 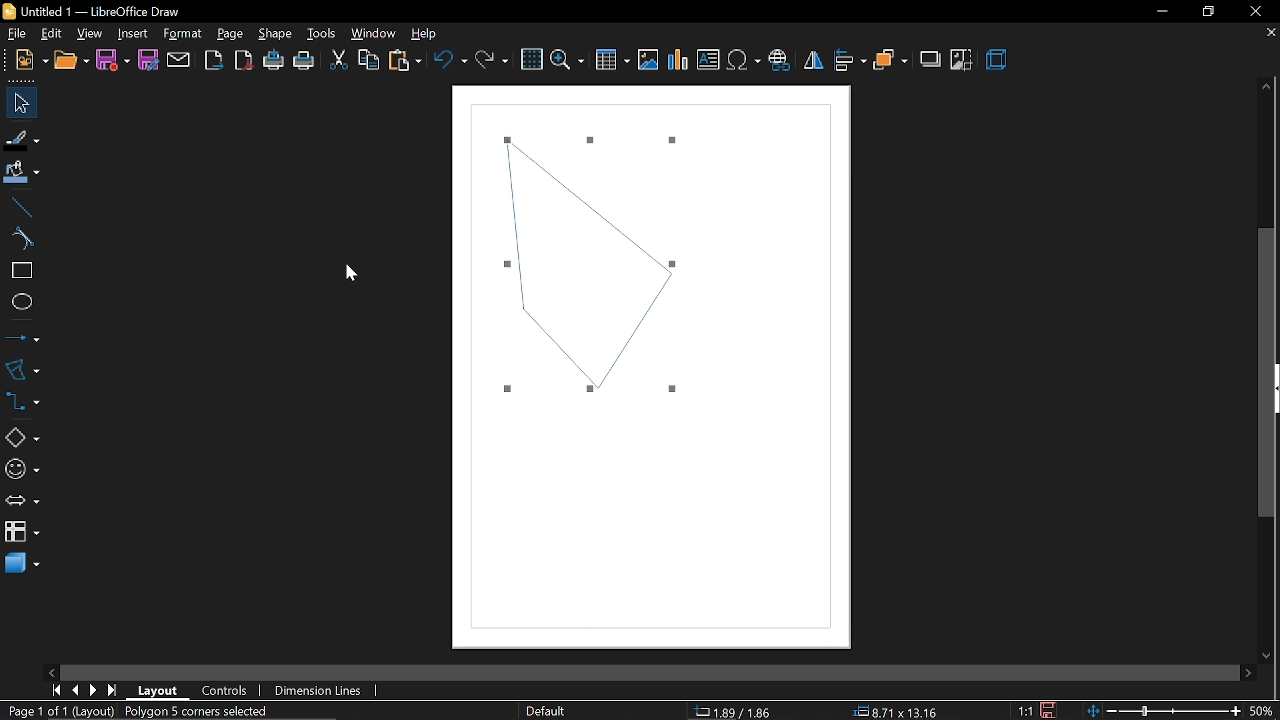 What do you see at coordinates (849, 59) in the screenshot?
I see `align` at bounding box center [849, 59].